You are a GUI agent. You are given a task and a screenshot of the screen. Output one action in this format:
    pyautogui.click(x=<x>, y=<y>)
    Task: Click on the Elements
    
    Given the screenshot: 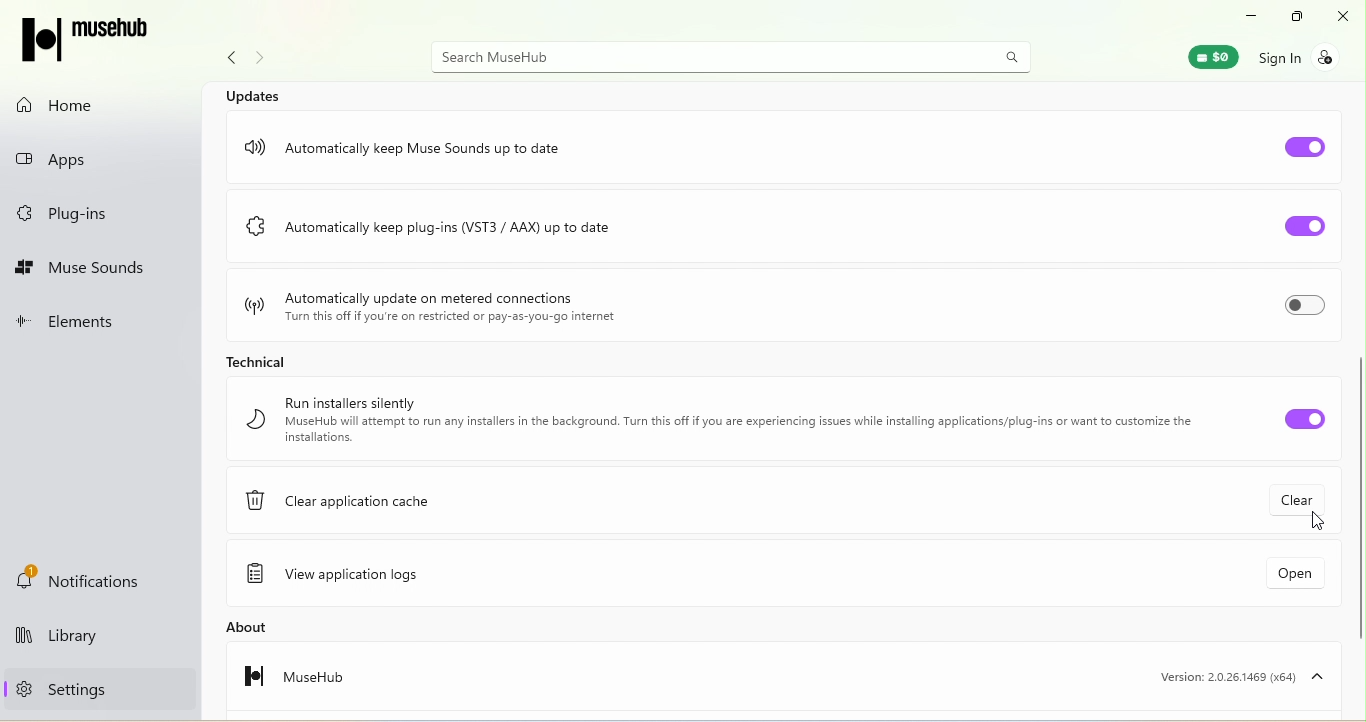 What is the action you would take?
    pyautogui.click(x=78, y=324)
    